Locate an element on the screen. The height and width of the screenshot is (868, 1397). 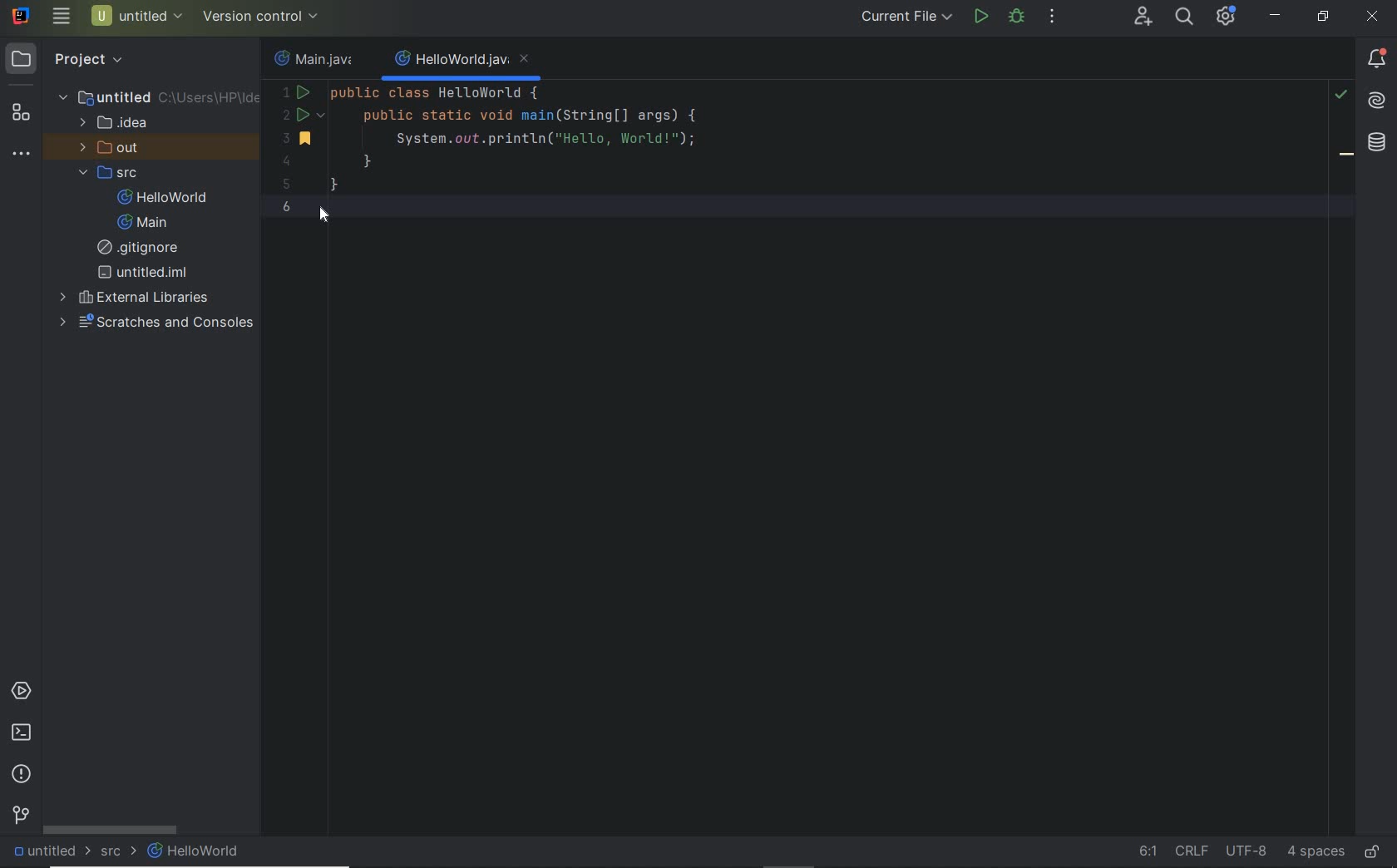
structure is located at coordinates (20, 114).